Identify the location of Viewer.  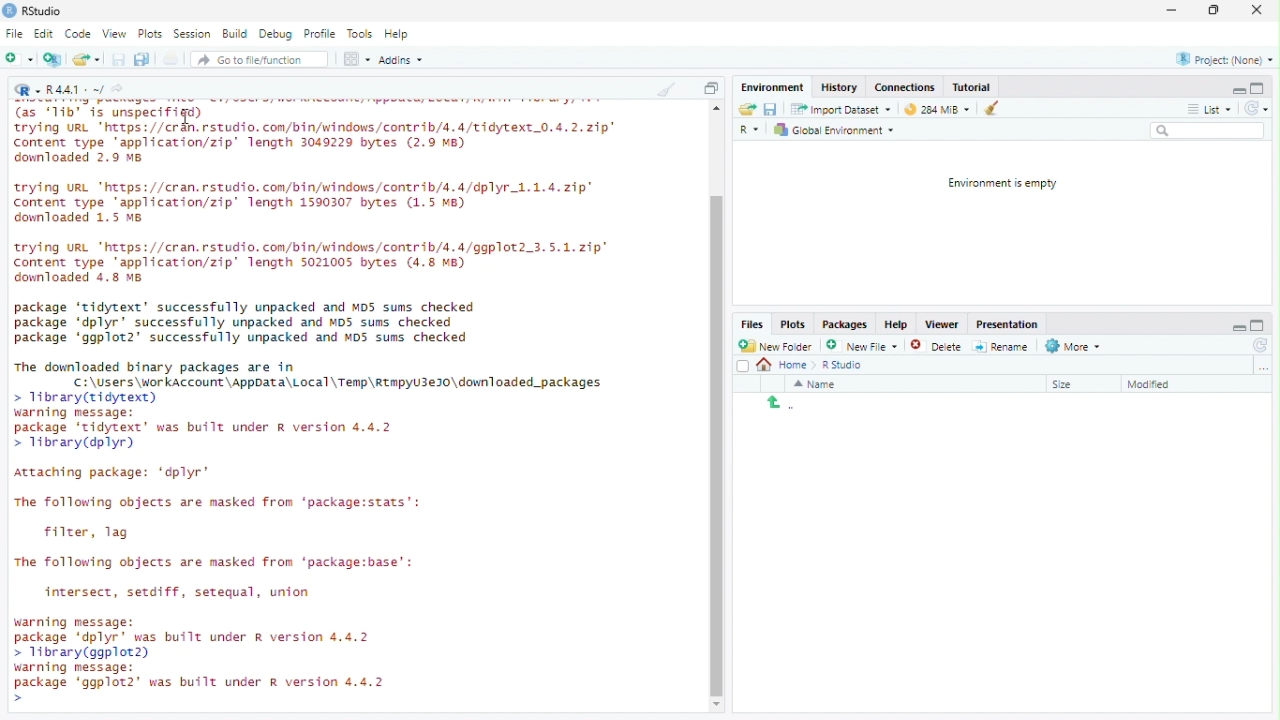
(941, 325).